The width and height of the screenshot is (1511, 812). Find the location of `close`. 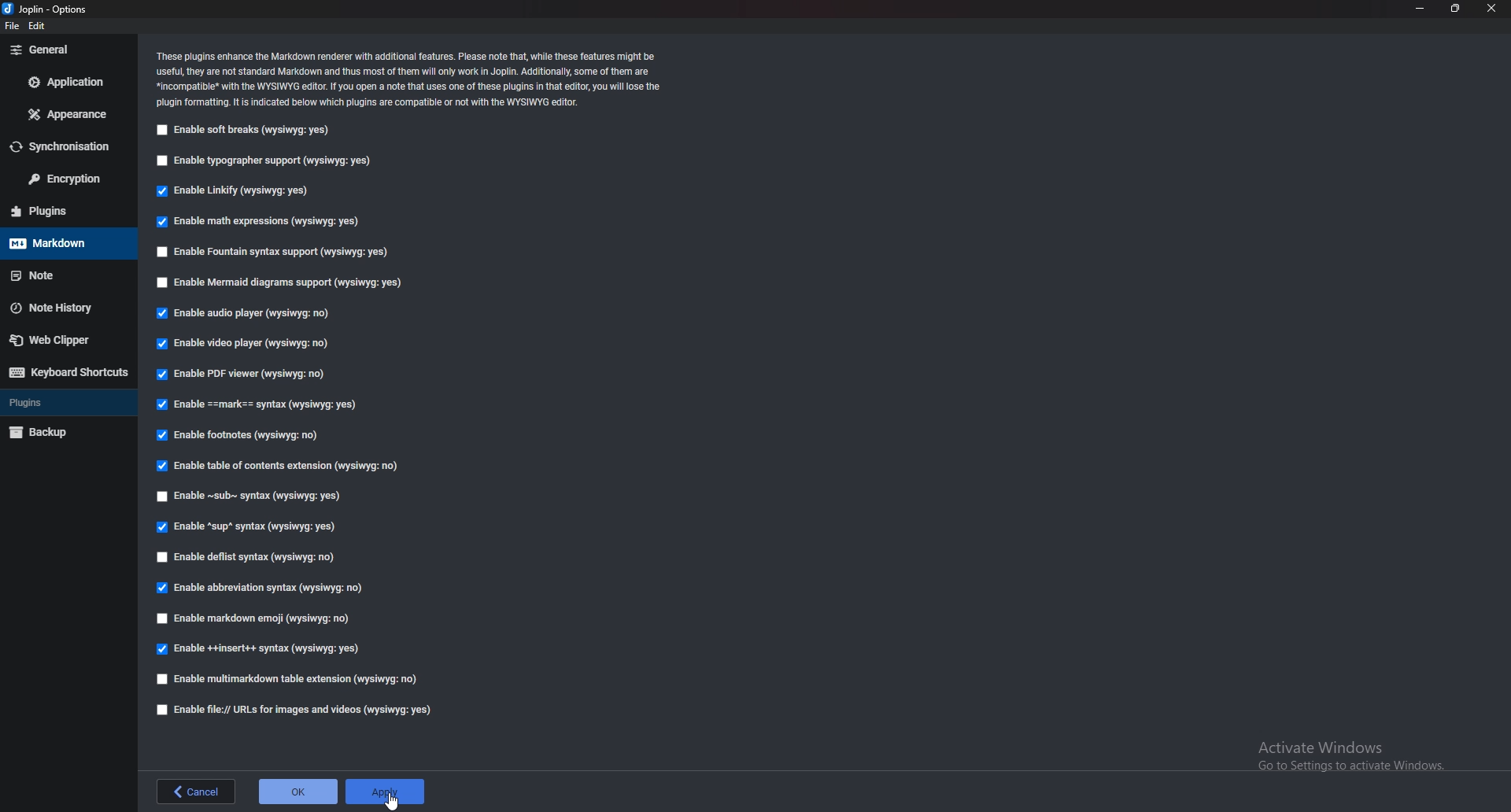

close is located at coordinates (1492, 7).